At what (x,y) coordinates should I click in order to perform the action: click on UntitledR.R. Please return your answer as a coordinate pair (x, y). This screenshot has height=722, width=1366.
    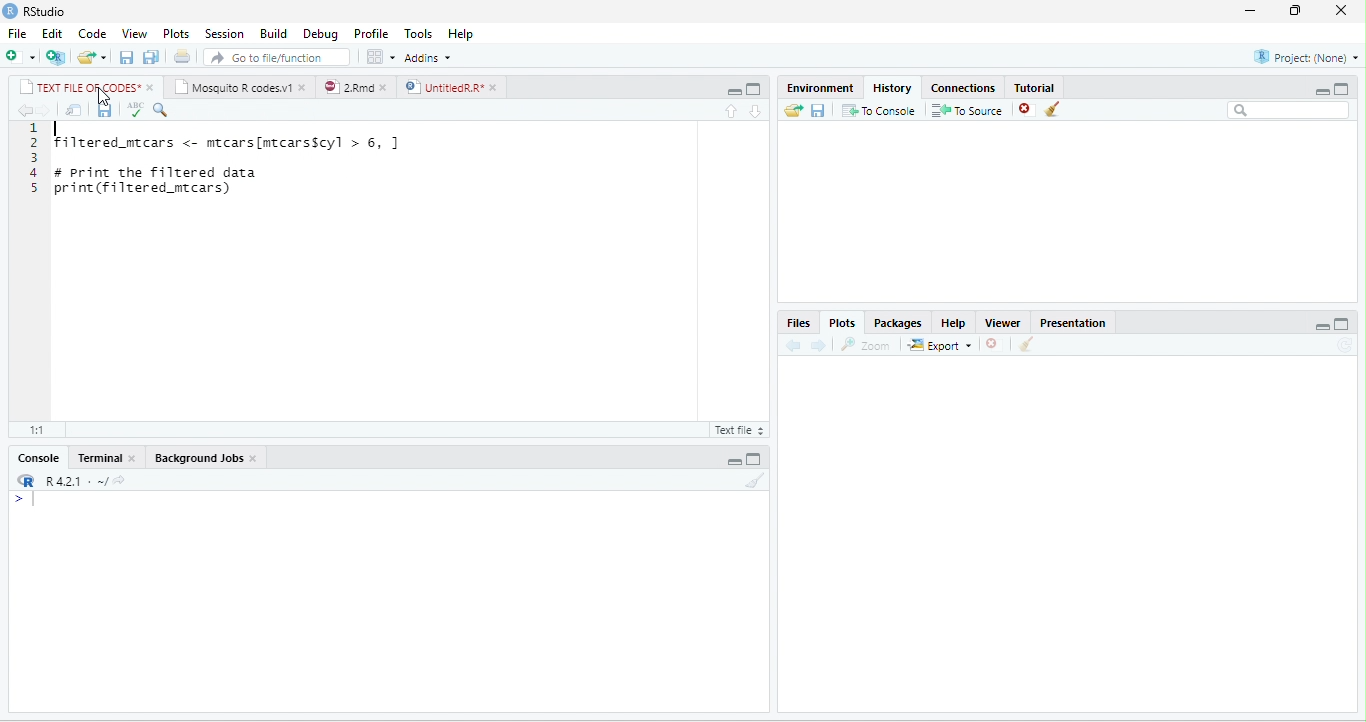
    Looking at the image, I should click on (441, 87).